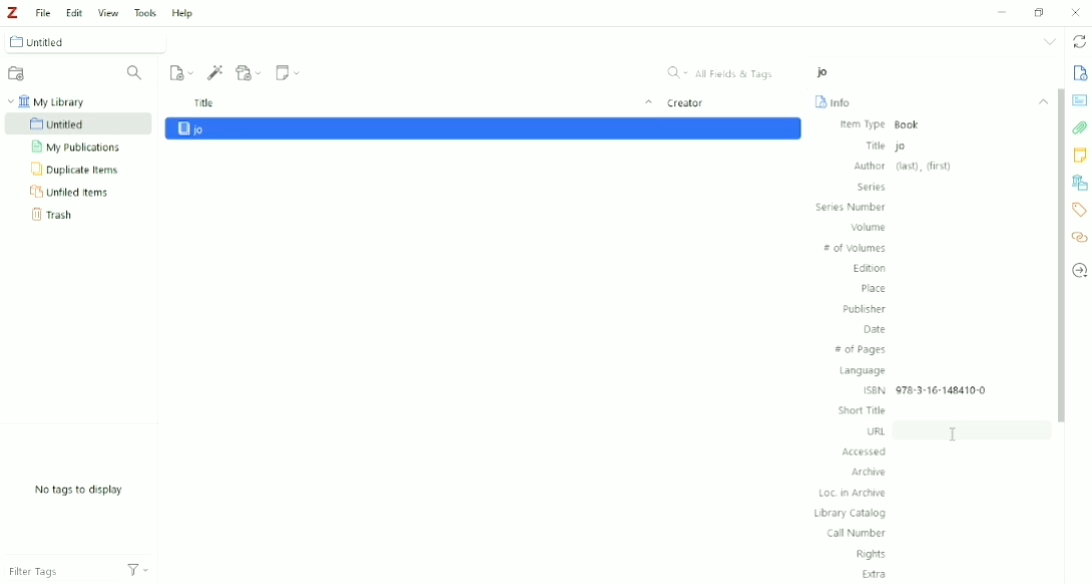 The image size is (1092, 584). I want to click on Tools, so click(145, 12).